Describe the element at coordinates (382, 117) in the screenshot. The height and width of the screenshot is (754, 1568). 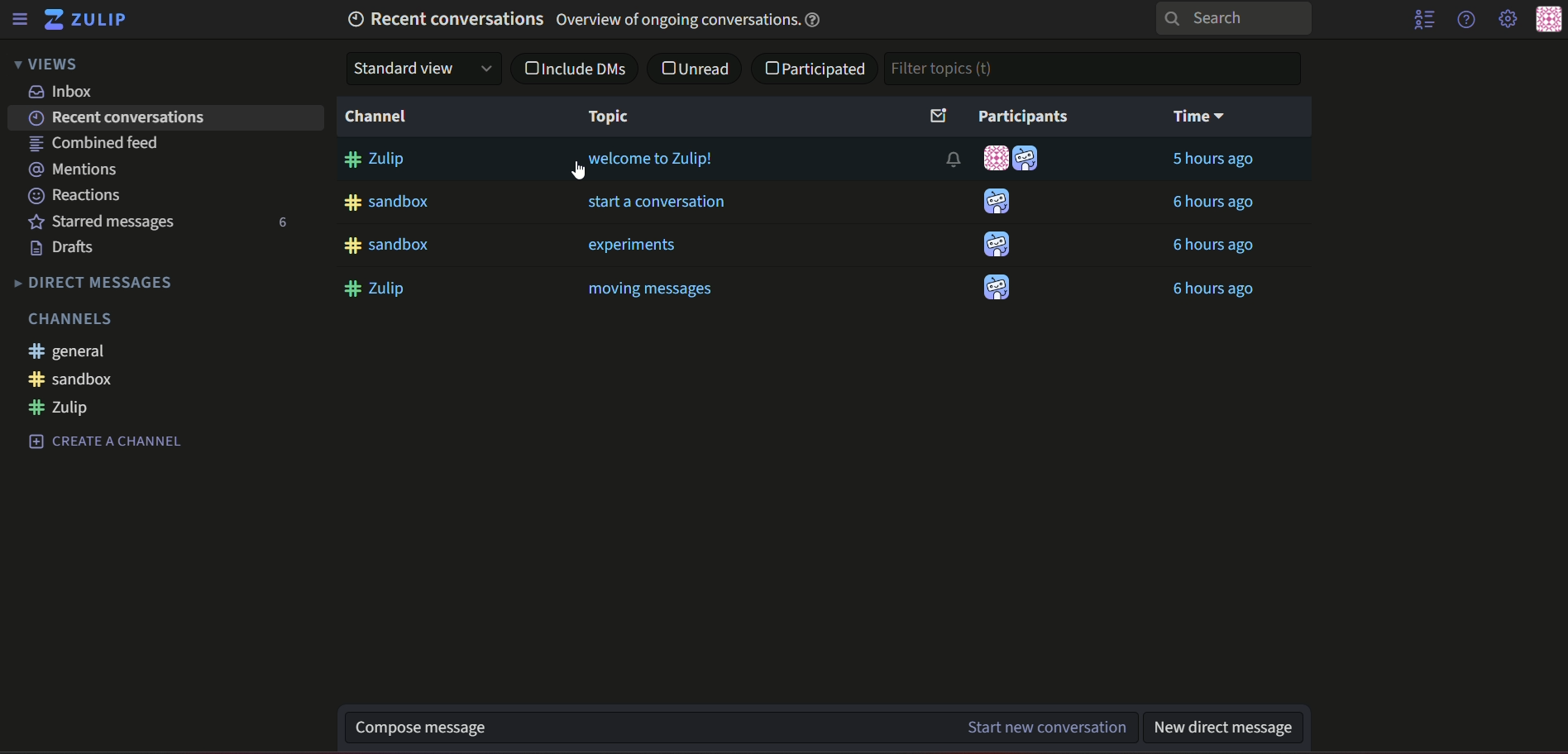
I see `Channel` at that location.